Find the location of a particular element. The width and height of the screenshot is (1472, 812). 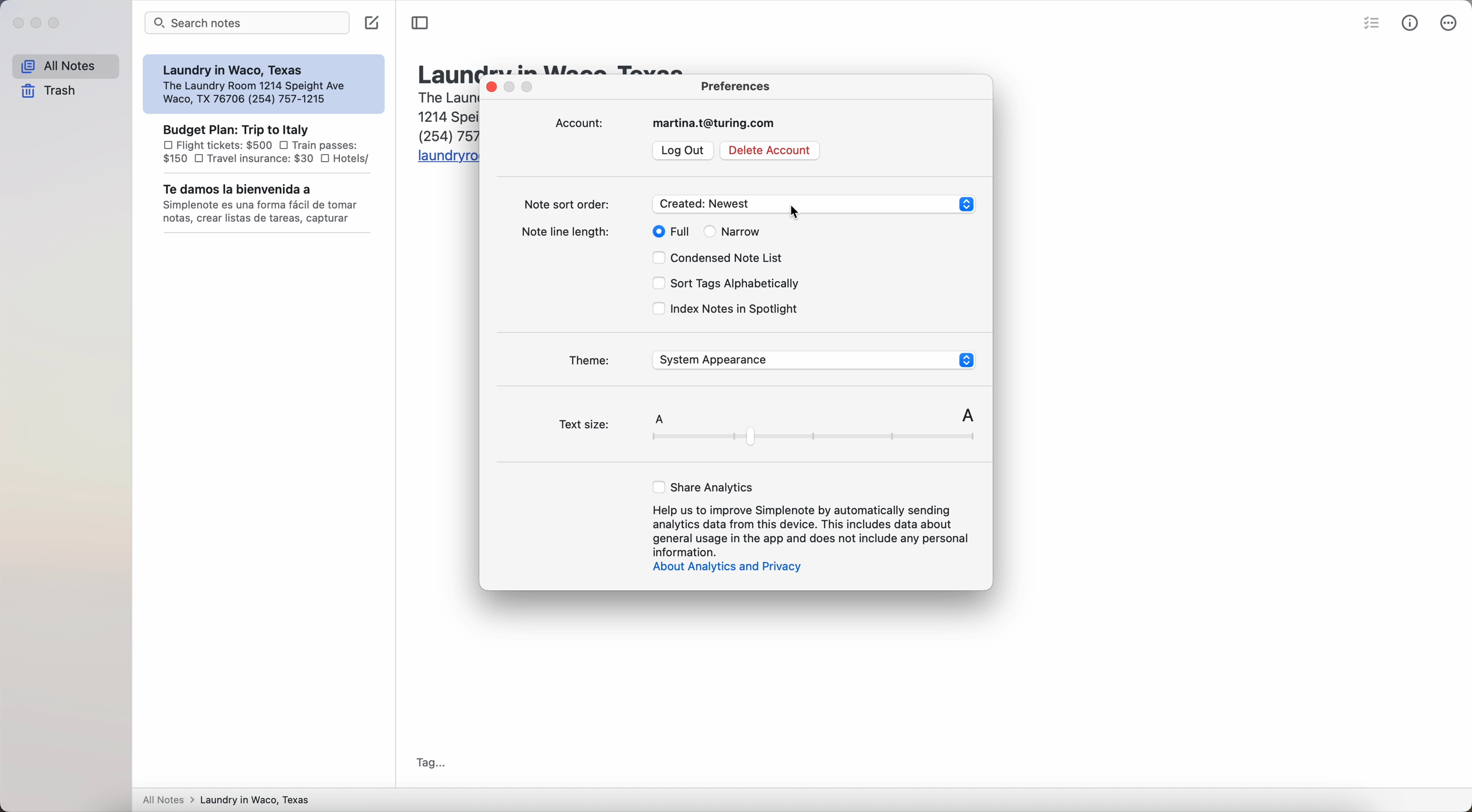

more options is located at coordinates (1451, 22).